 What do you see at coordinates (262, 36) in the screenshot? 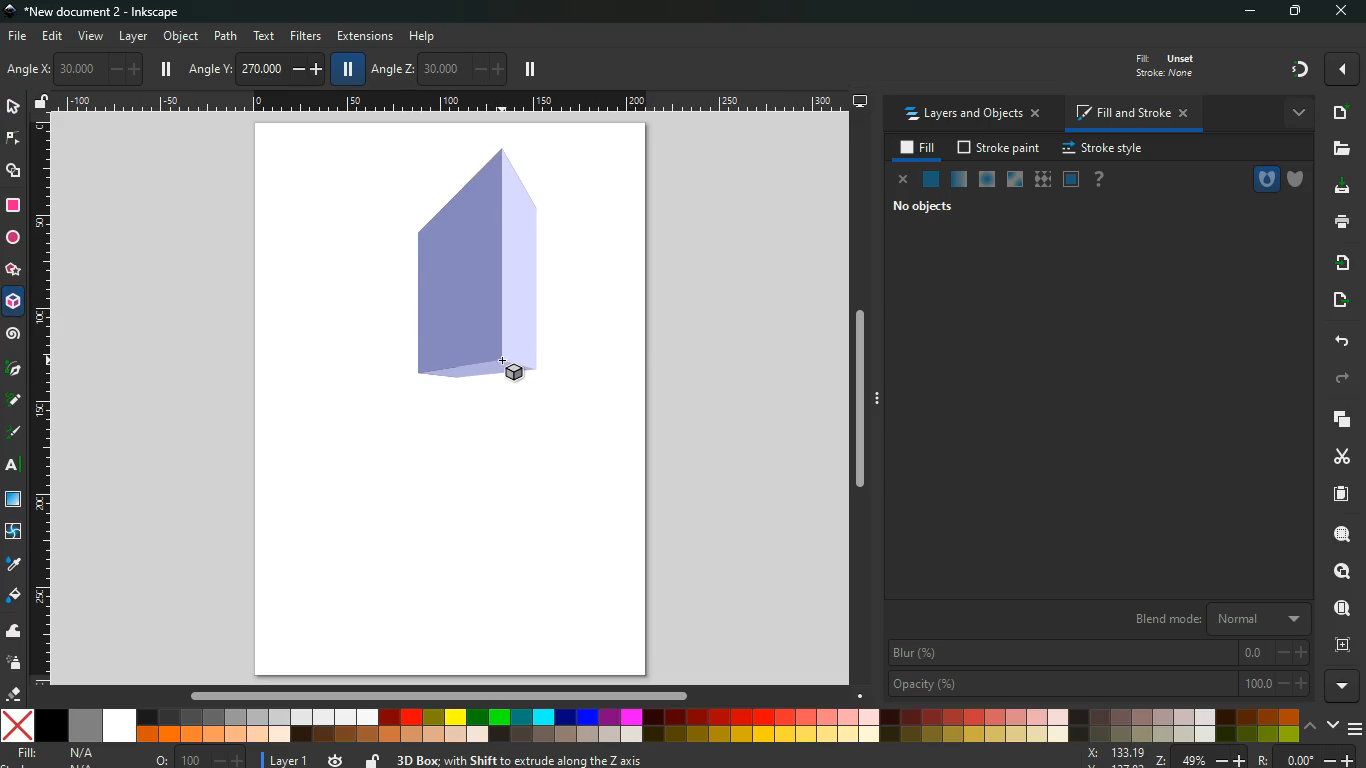
I see `text` at bounding box center [262, 36].